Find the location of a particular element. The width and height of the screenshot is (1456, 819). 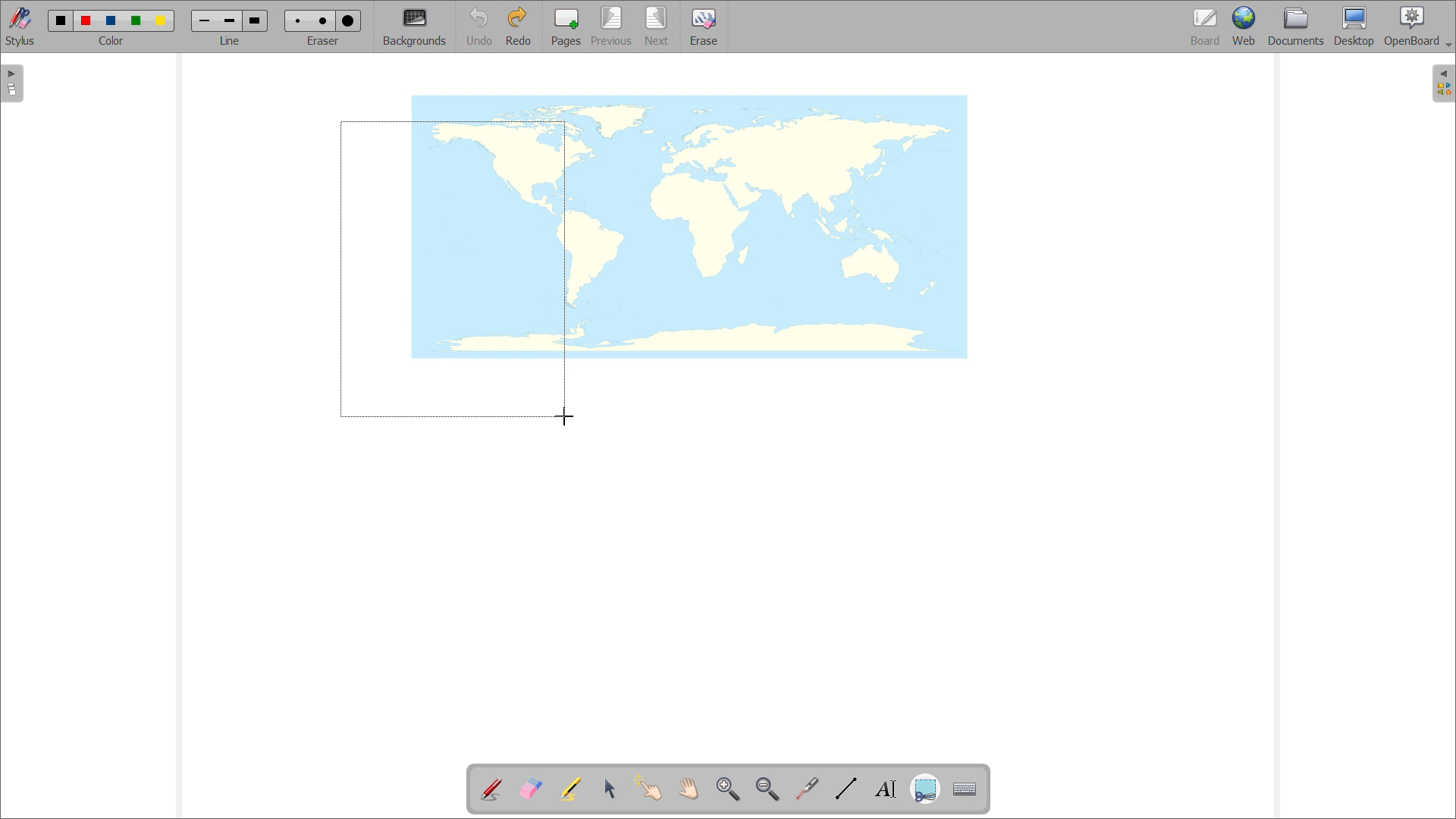

cursor is located at coordinates (564, 418).